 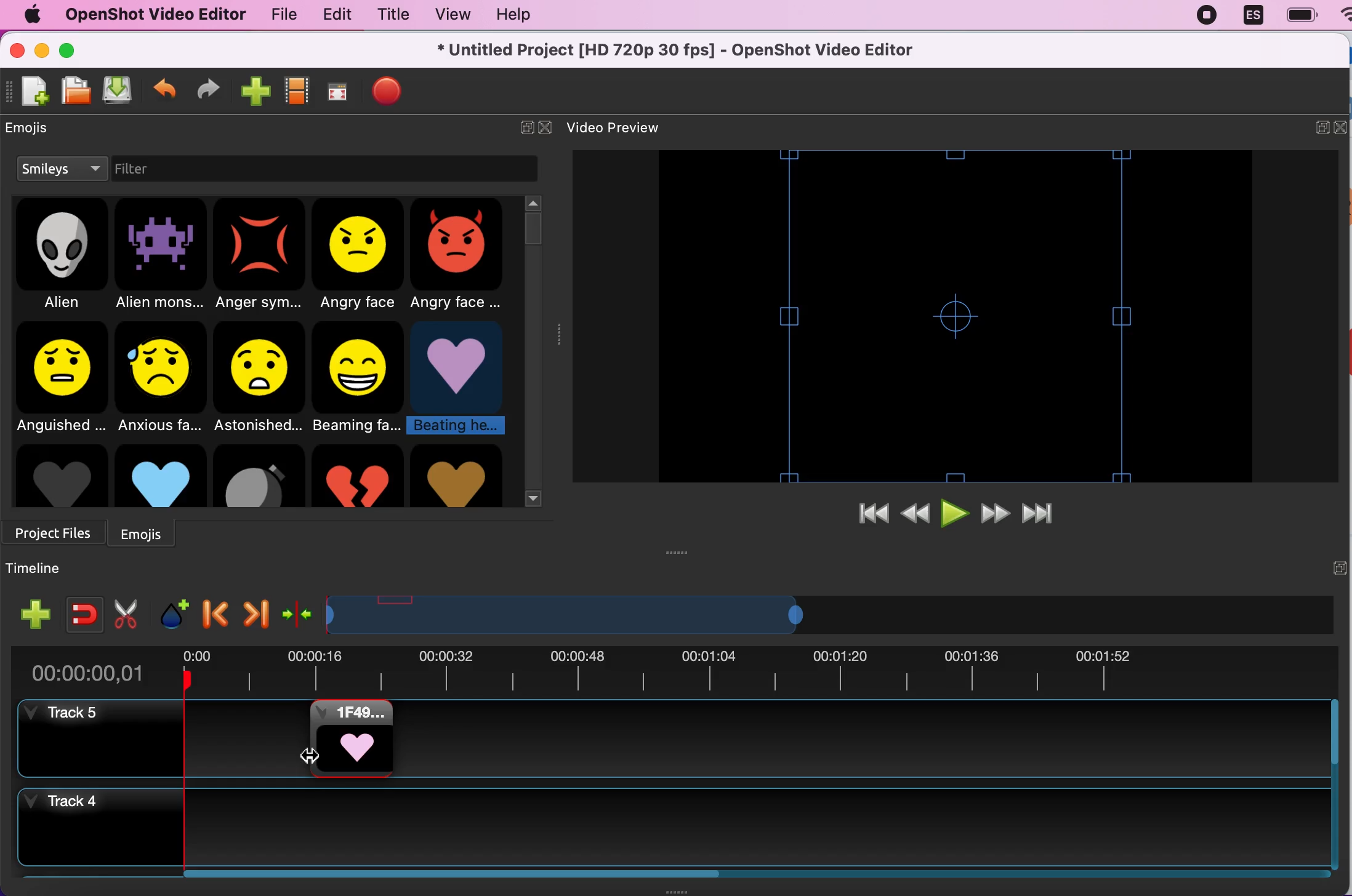 What do you see at coordinates (1343, 20) in the screenshot?
I see `wifi` at bounding box center [1343, 20].